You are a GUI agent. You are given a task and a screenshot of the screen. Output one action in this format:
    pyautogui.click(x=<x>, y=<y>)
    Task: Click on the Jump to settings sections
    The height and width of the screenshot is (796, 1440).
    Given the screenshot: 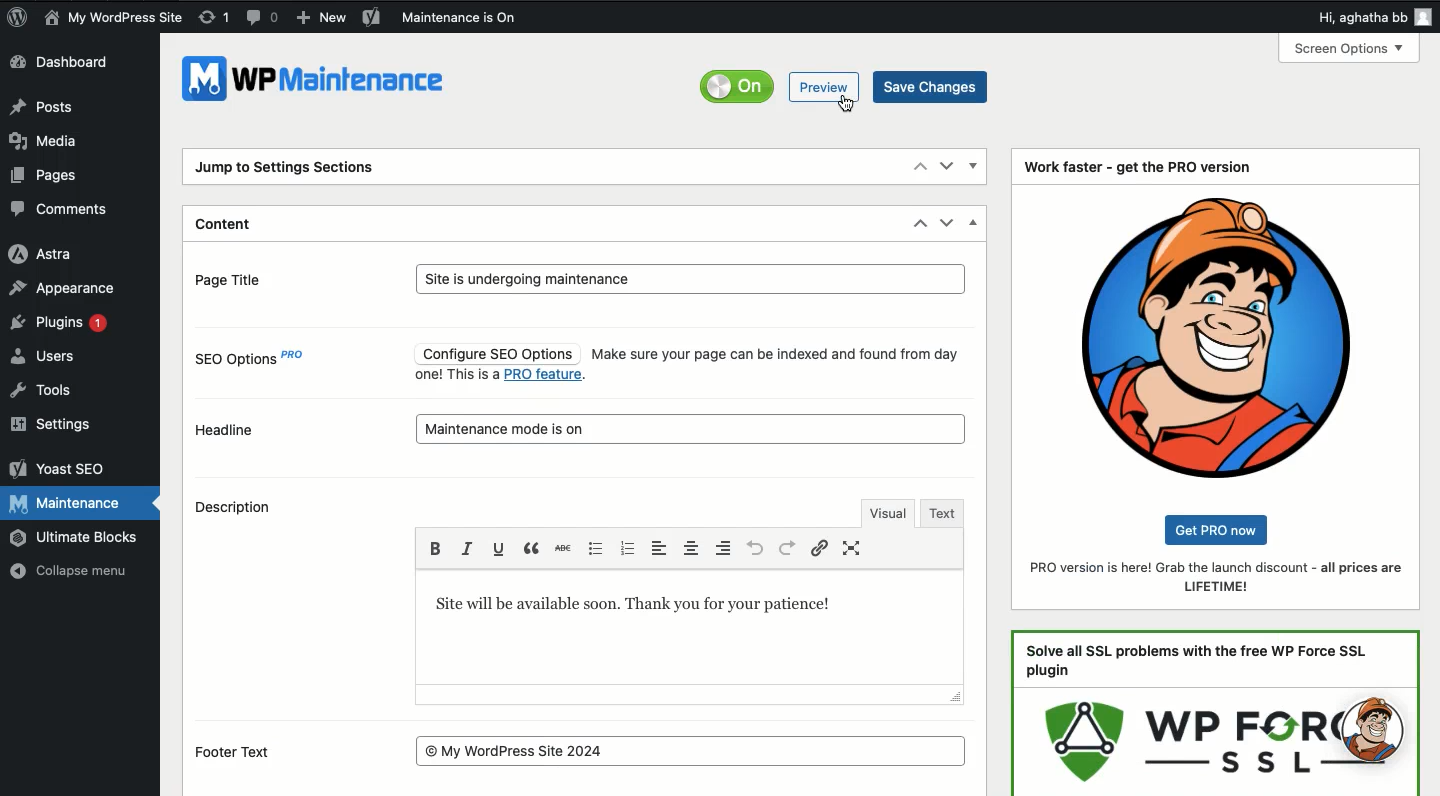 What is the action you would take?
    pyautogui.click(x=290, y=170)
    